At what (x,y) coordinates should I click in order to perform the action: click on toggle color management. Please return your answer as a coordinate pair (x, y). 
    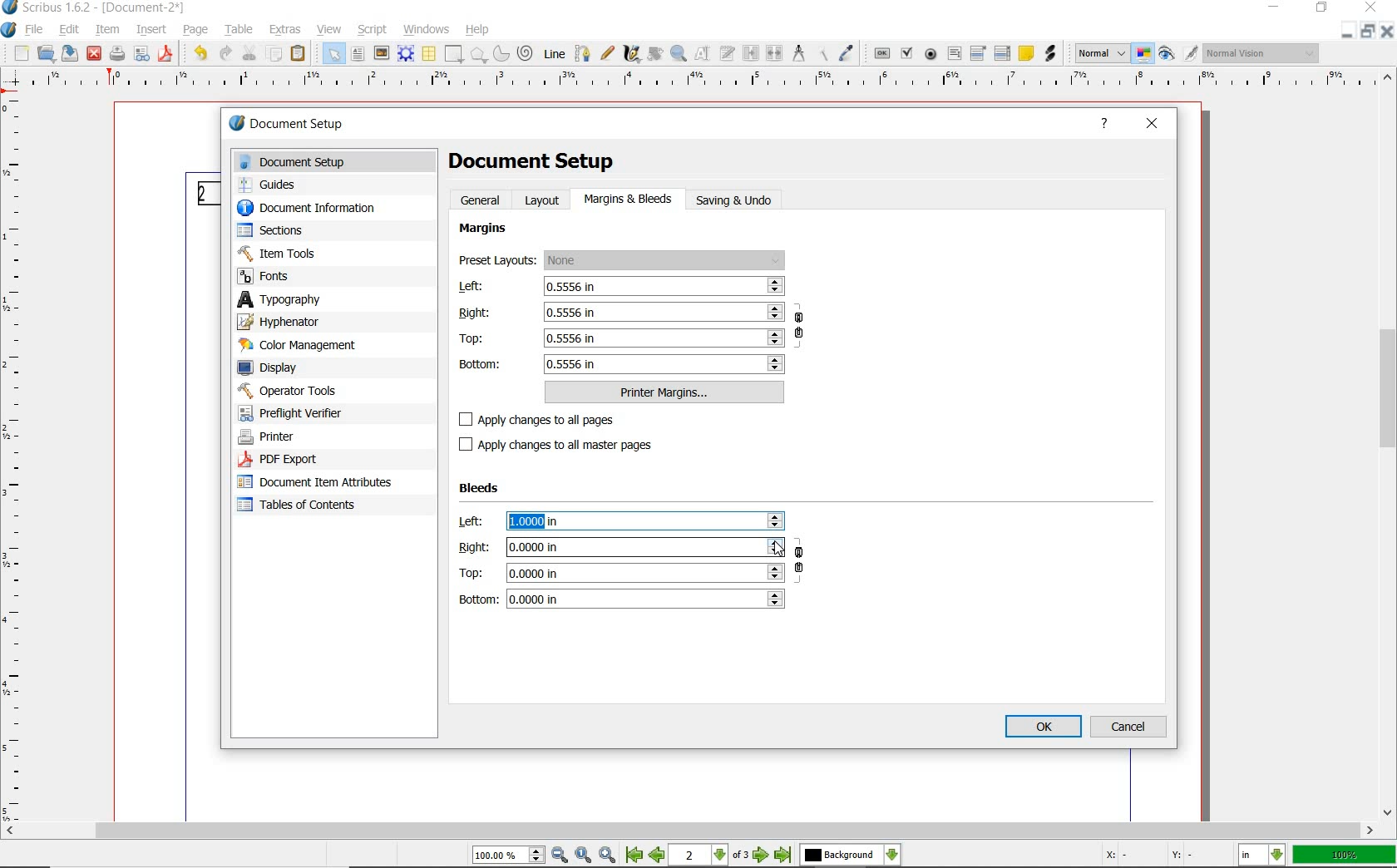
    Looking at the image, I should click on (1144, 56).